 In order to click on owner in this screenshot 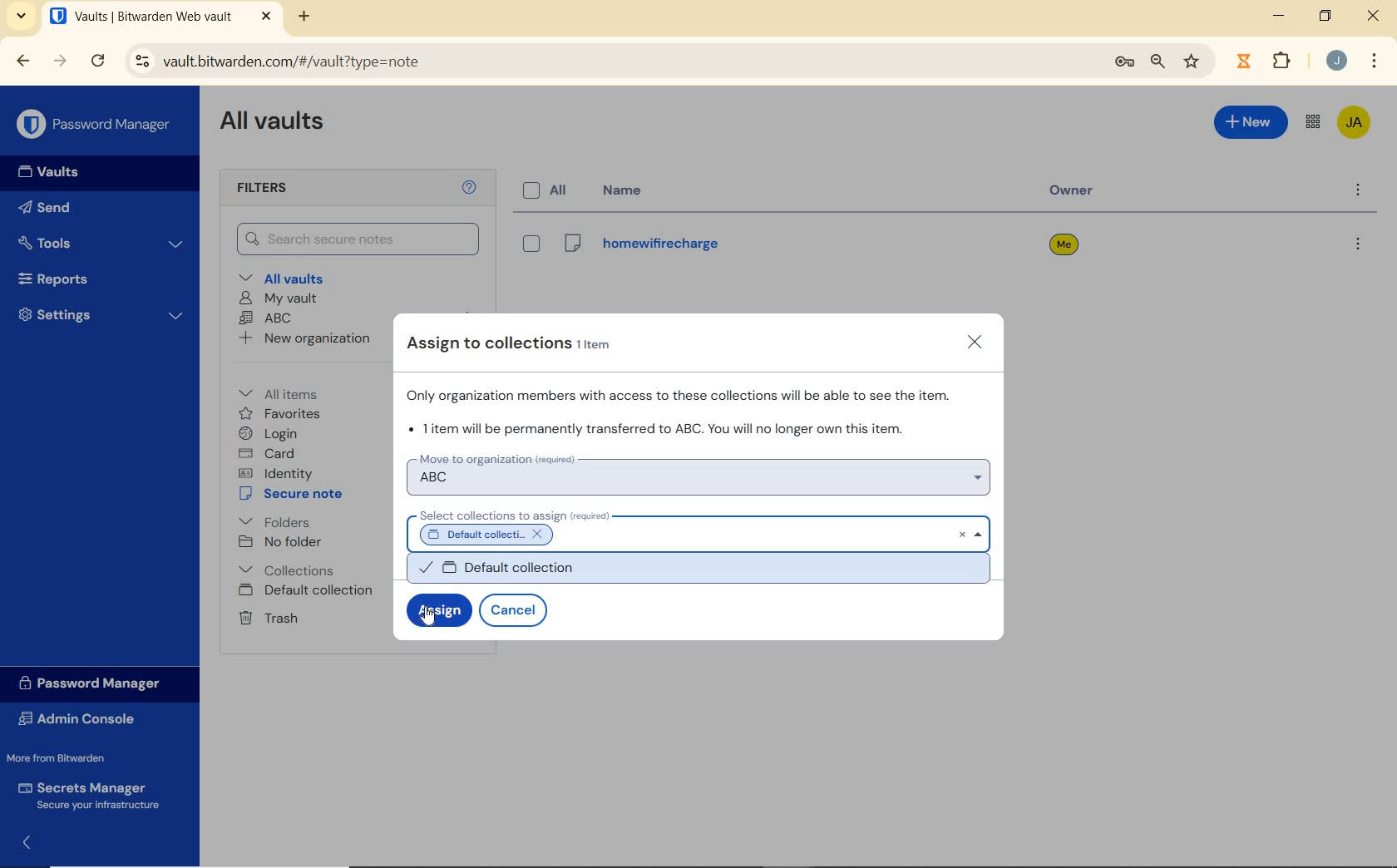, I will do `click(1077, 192)`.